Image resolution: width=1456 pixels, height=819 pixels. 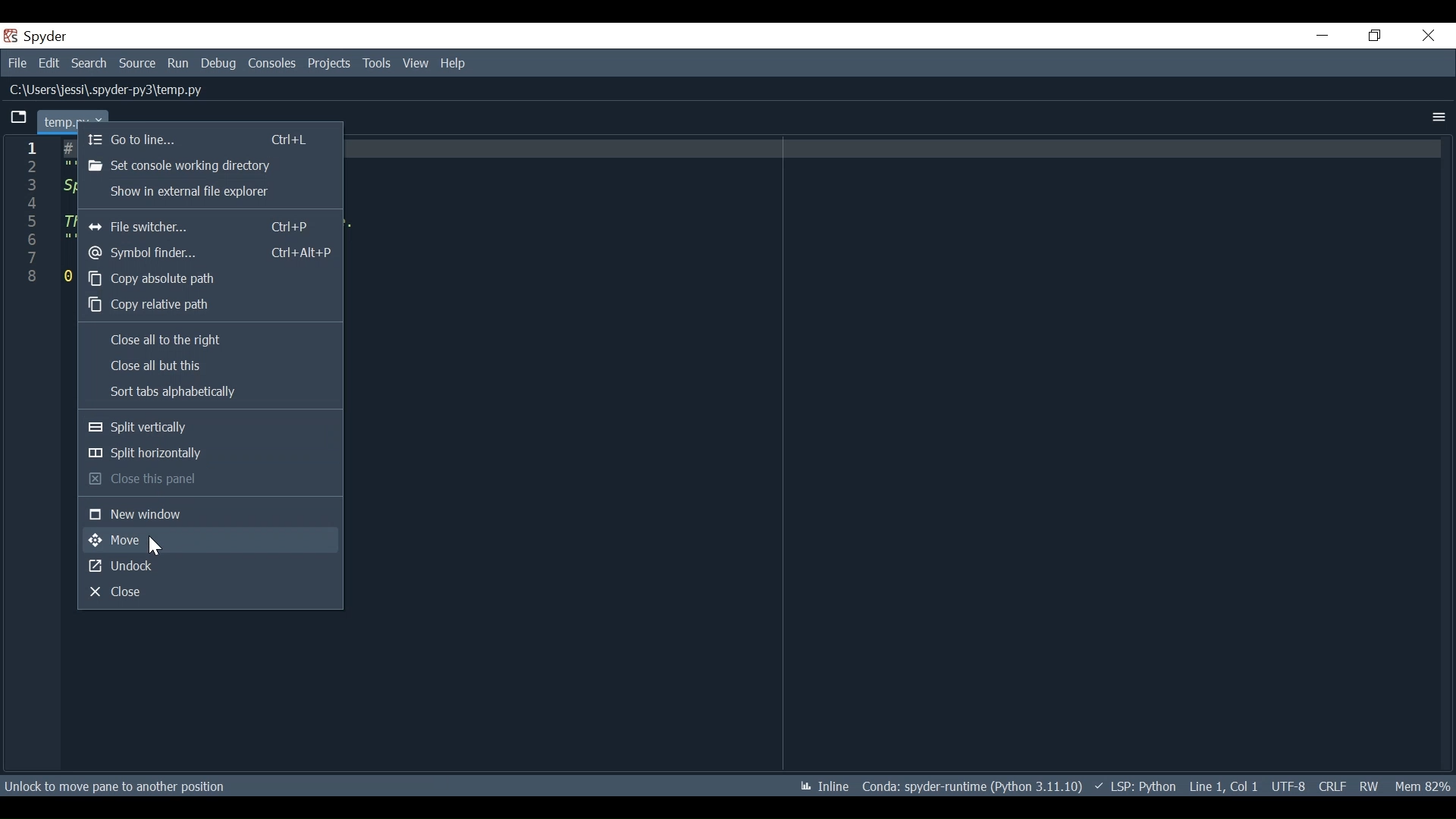 What do you see at coordinates (137, 64) in the screenshot?
I see `Source` at bounding box center [137, 64].